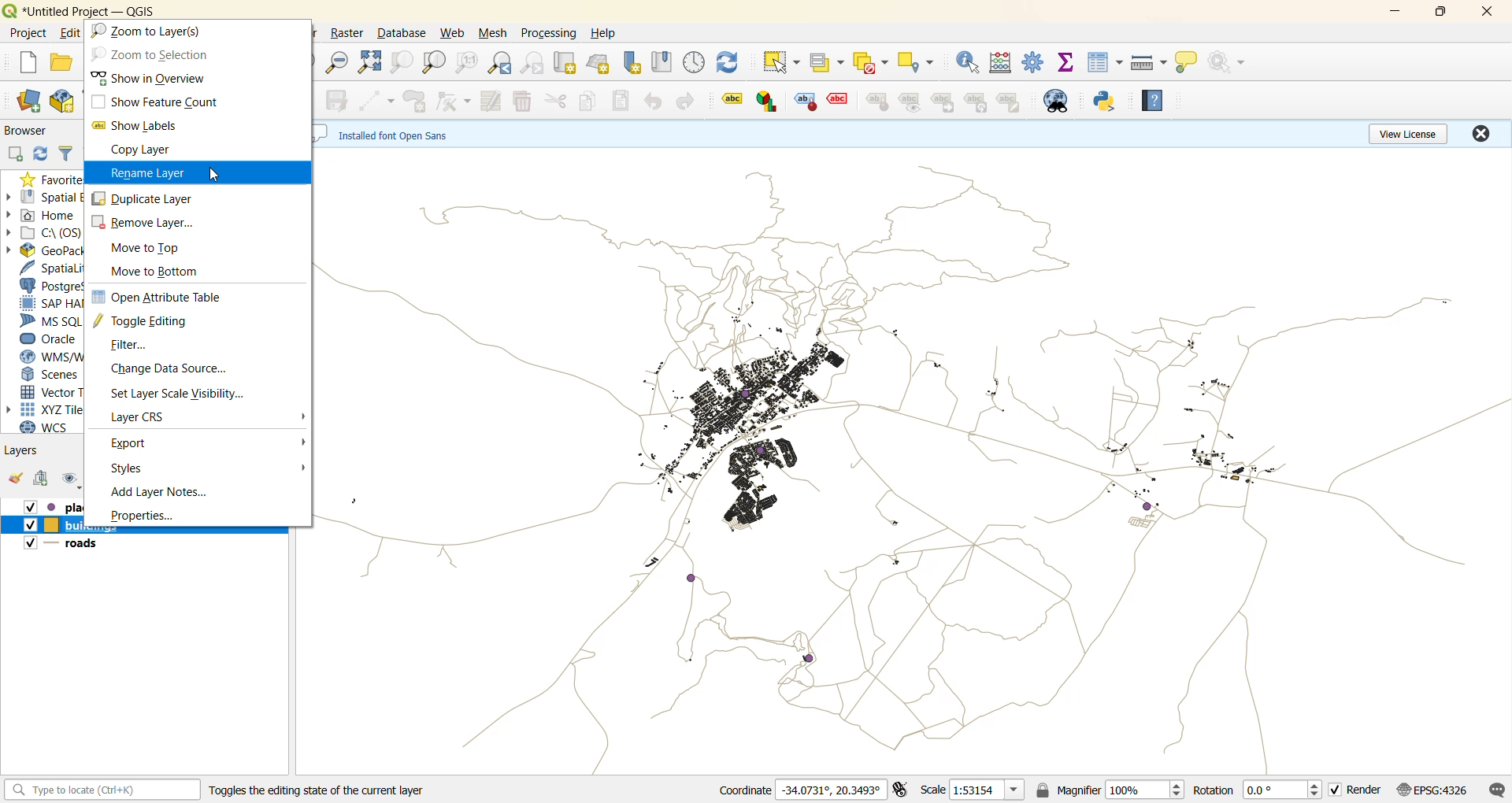 The image size is (1512, 803). I want to click on zoom native, so click(464, 65).